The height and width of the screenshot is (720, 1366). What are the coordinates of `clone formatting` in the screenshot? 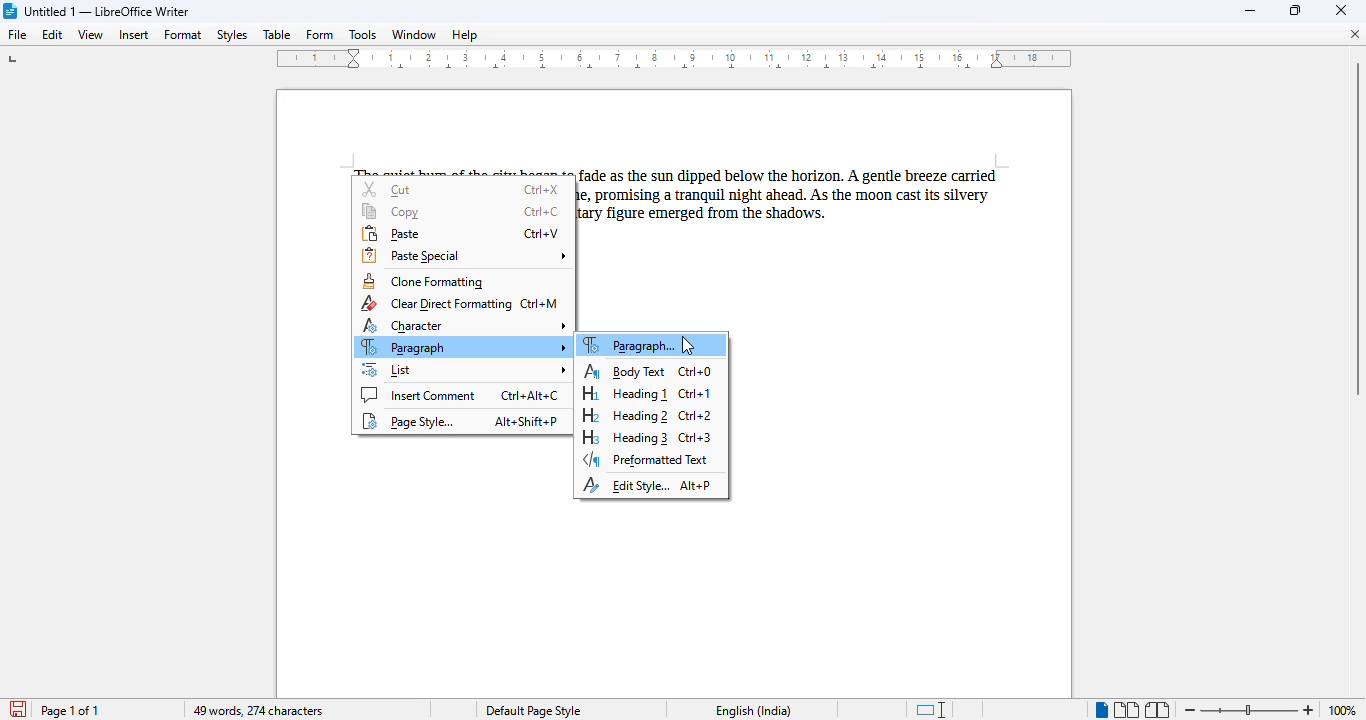 It's located at (426, 281).